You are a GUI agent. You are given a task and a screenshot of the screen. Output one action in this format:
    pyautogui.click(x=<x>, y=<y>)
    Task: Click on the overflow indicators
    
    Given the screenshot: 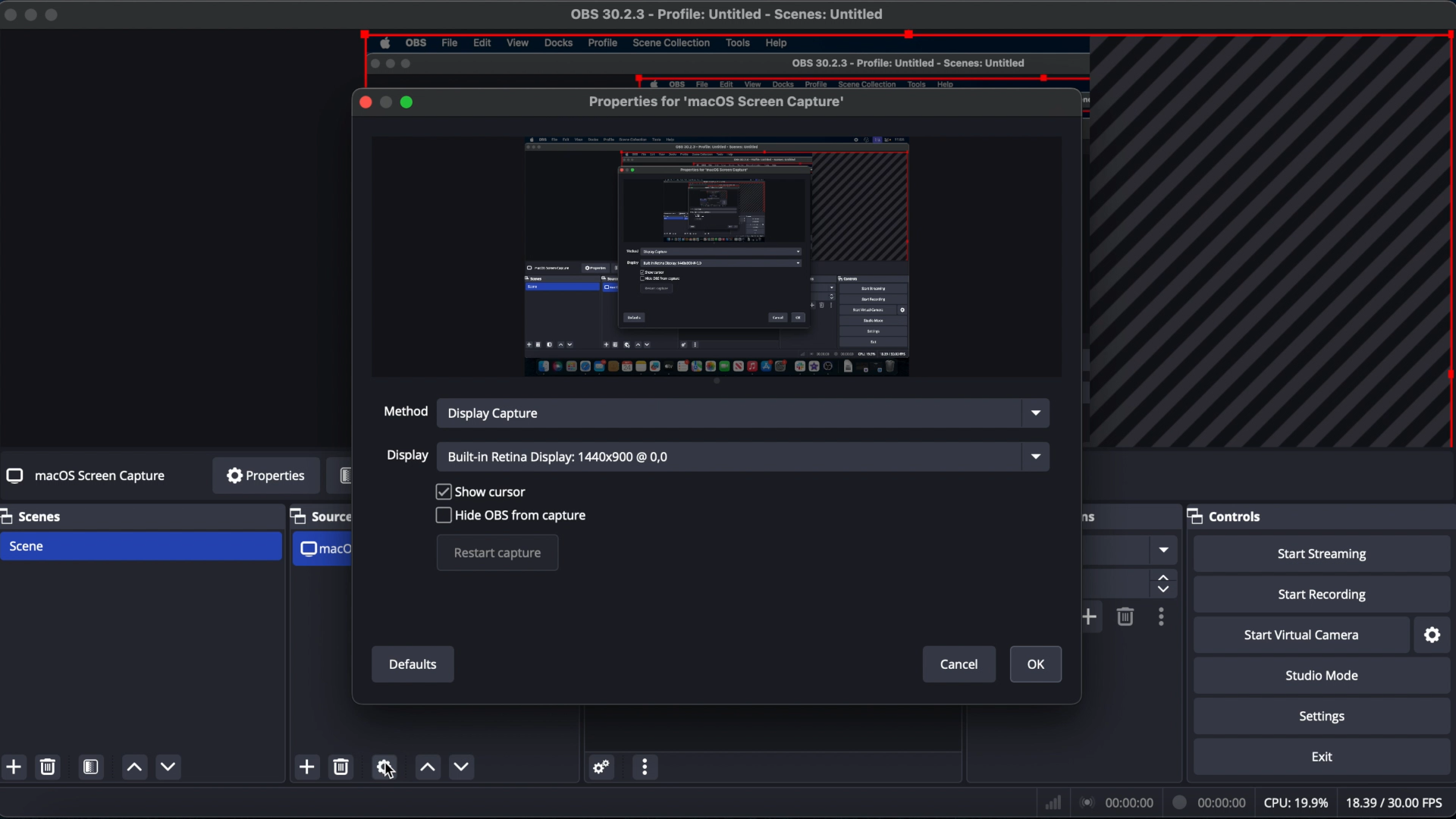 What is the action you would take?
    pyautogui.click(x=1263, y=246)
    